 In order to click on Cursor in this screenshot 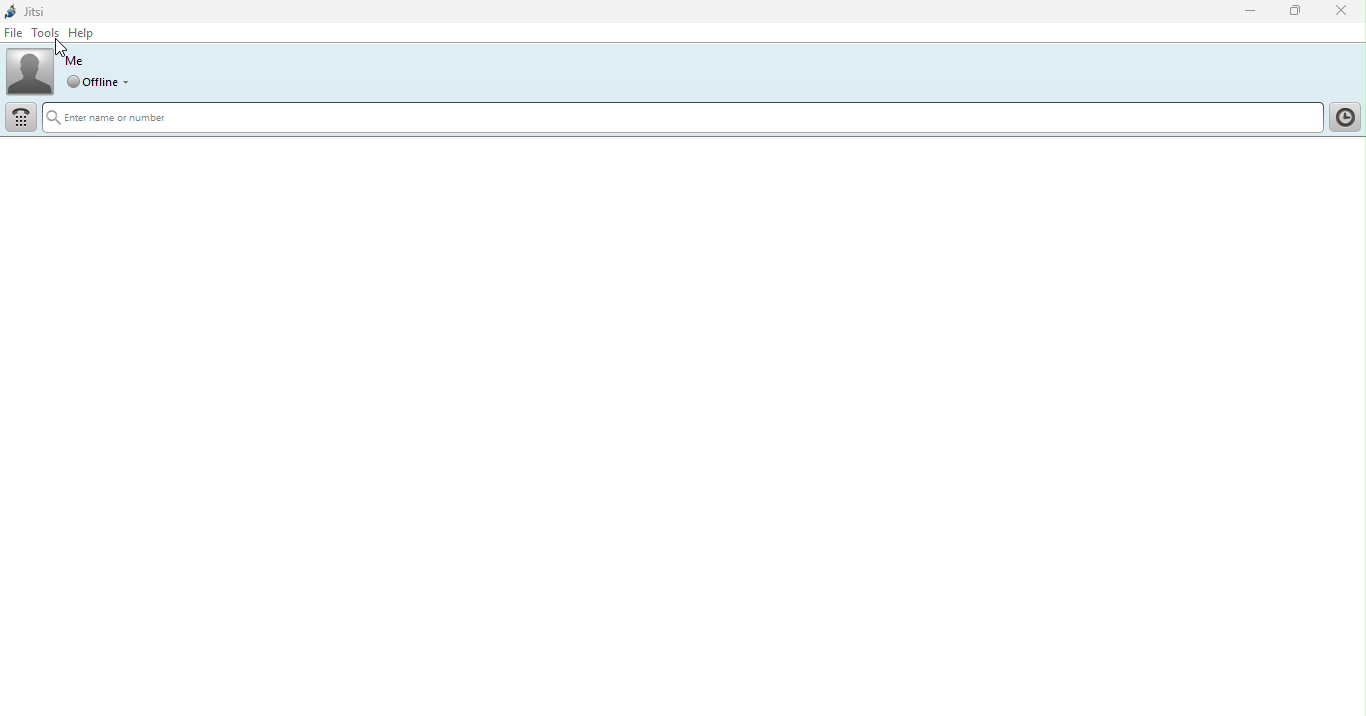, I will do `click(62, 48)`.